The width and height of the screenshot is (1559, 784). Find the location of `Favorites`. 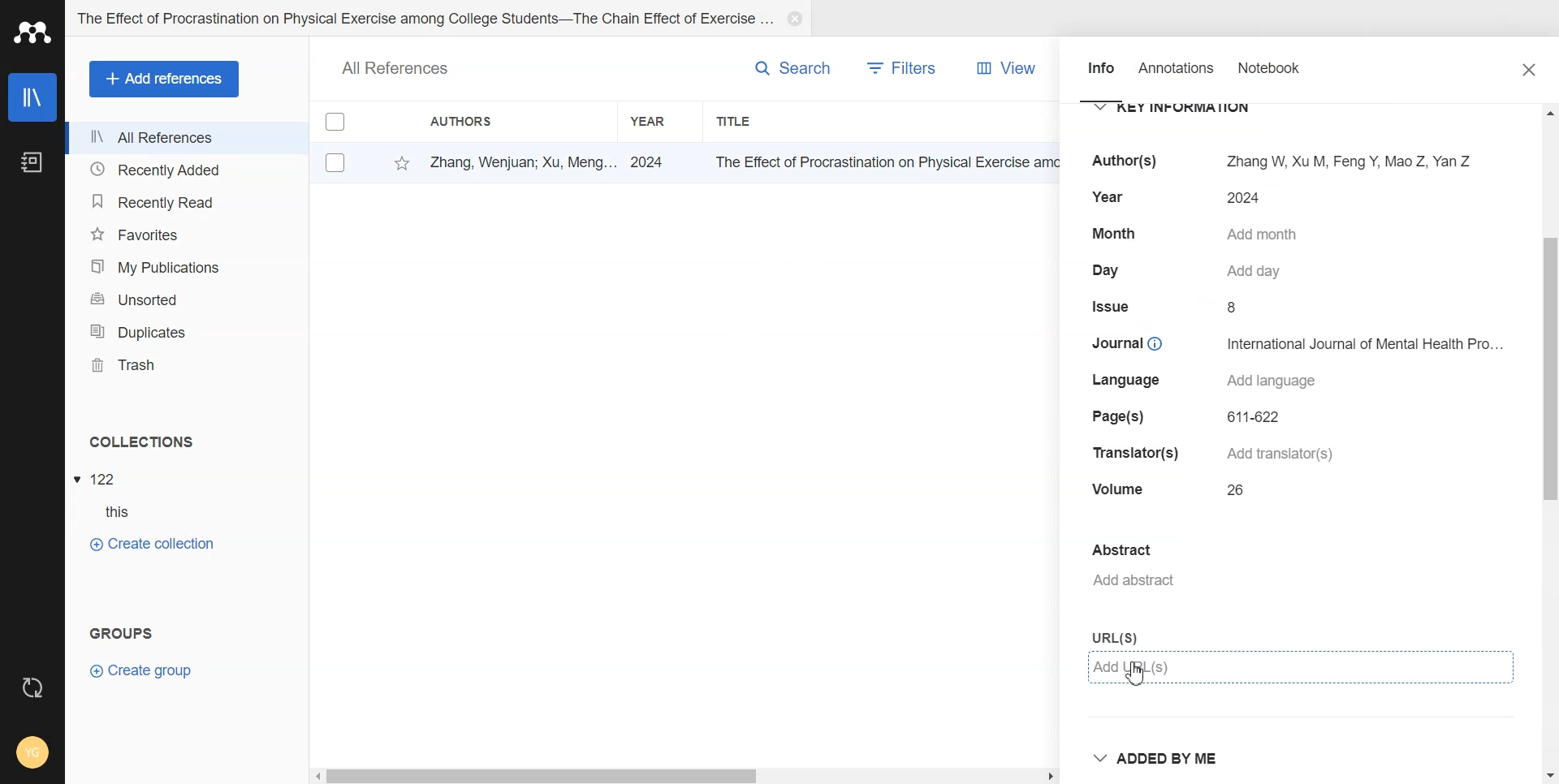

Favorites is located at coordinates (187, 234).